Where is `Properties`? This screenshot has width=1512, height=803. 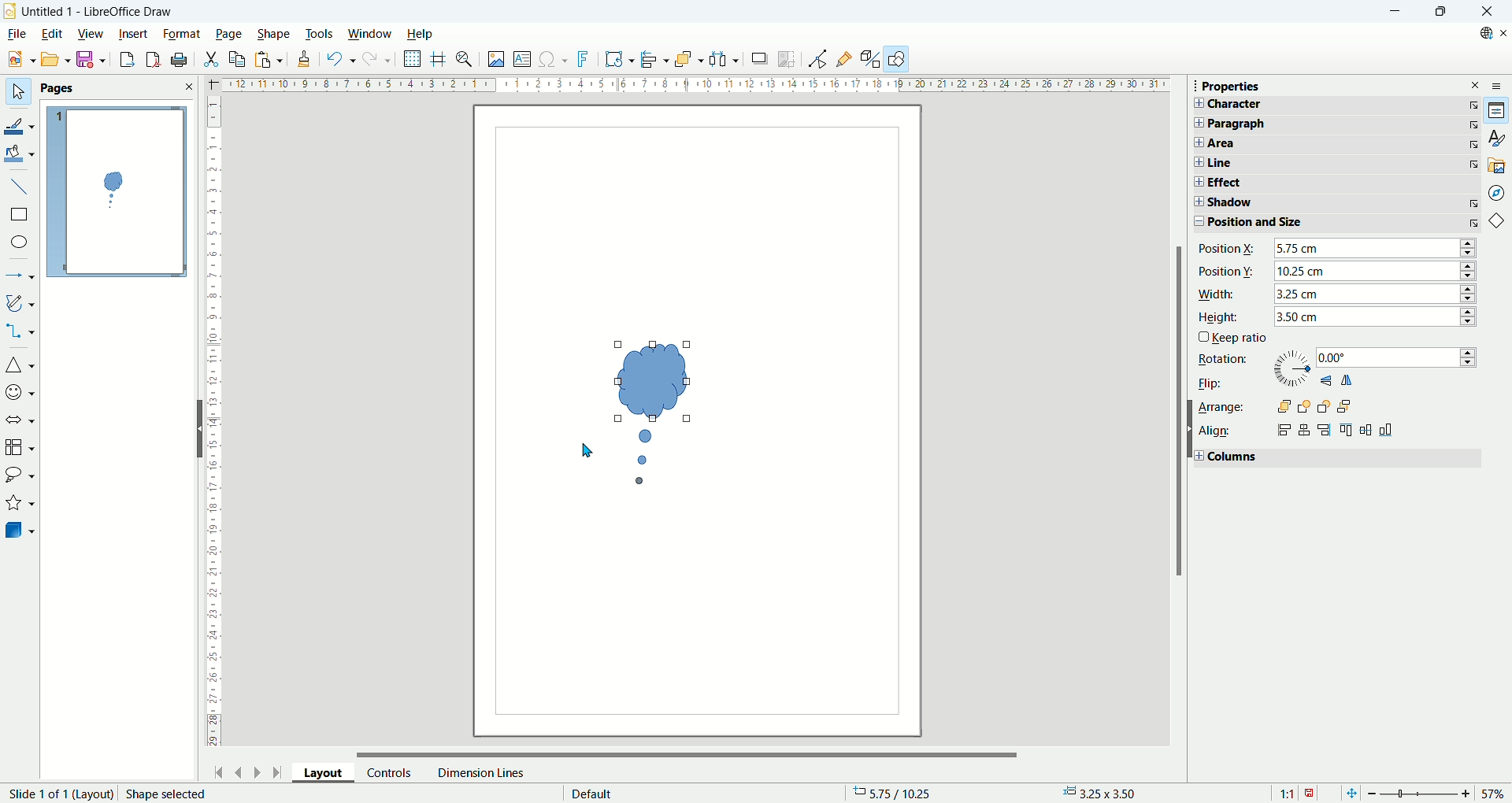
Properties is located at coordinates (1497, 111).